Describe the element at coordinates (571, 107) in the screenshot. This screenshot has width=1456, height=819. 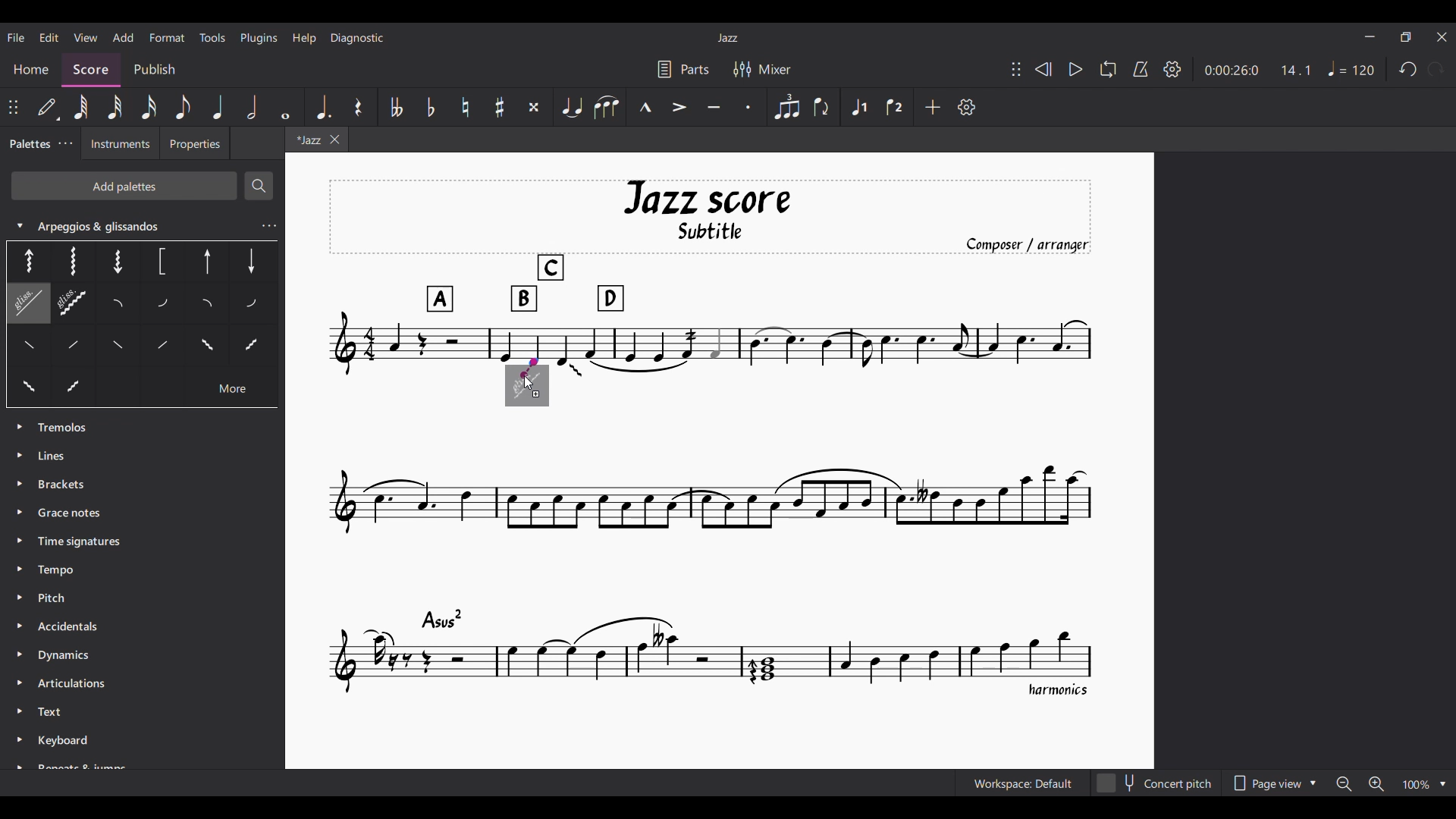
I see `Tie` at that location.